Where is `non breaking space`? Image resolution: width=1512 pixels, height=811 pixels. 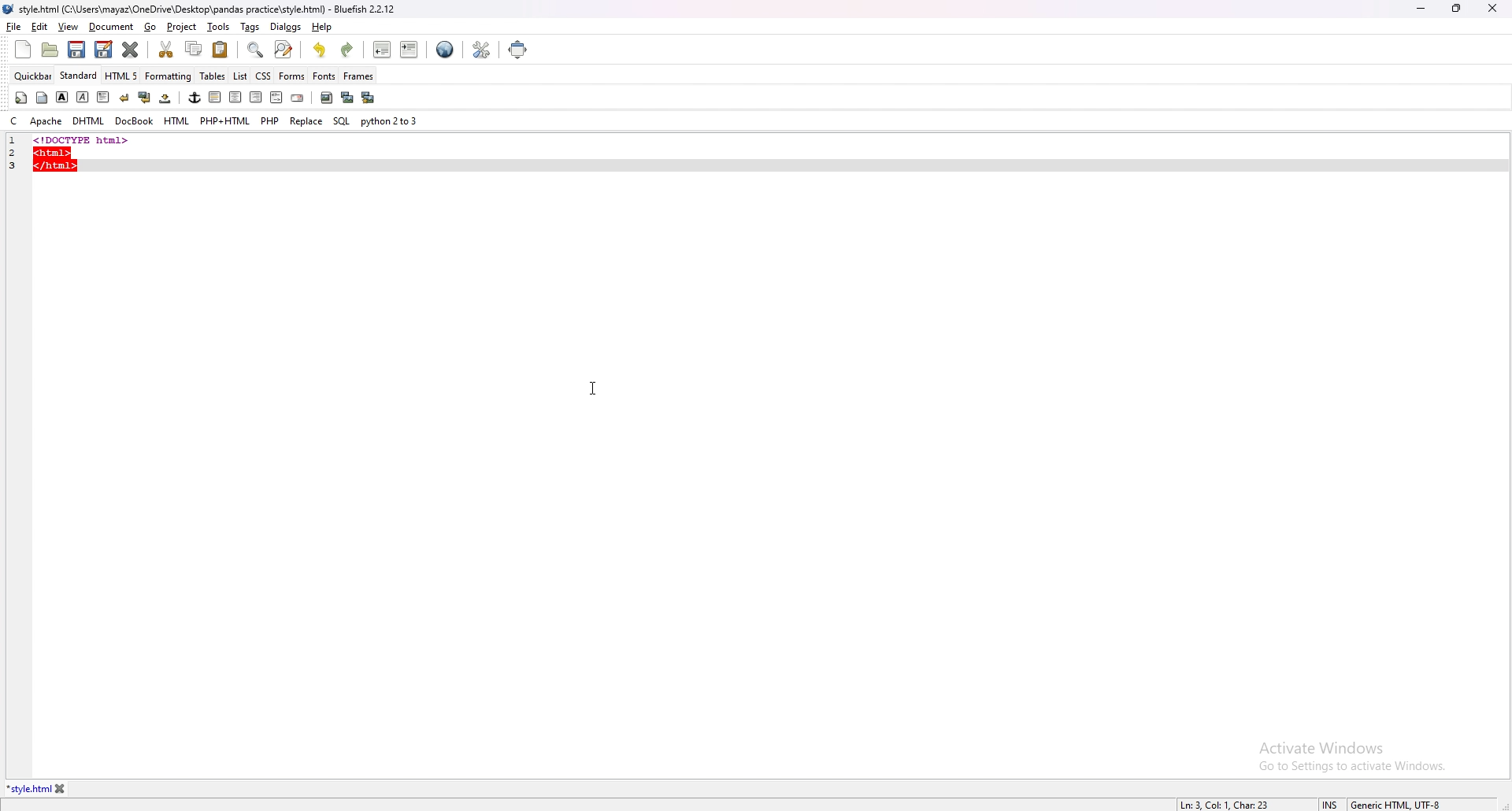 non breaking space is located at coordinates (166, 98).